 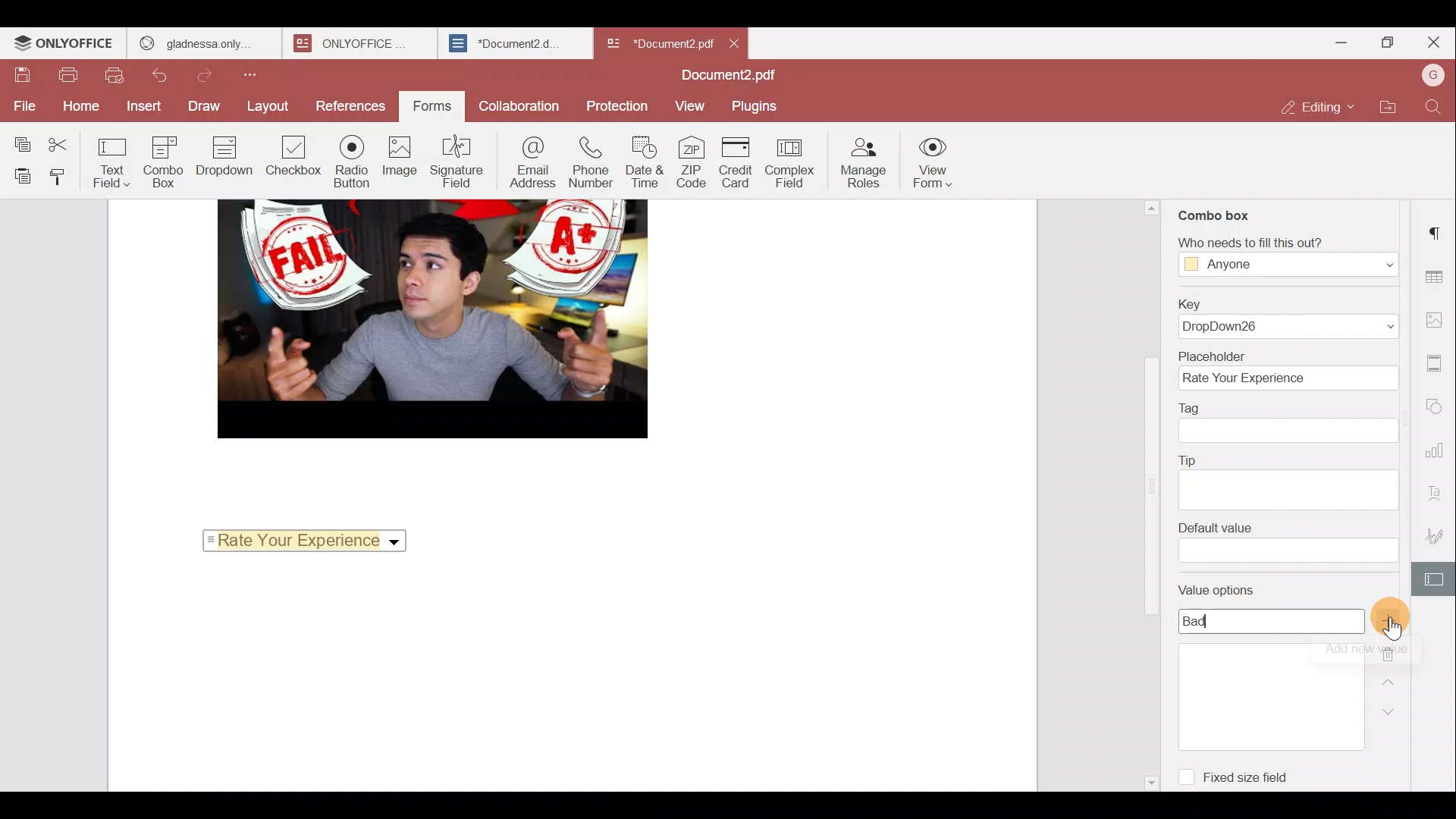 I want to click on Add value, so click(x=1391, y=621).